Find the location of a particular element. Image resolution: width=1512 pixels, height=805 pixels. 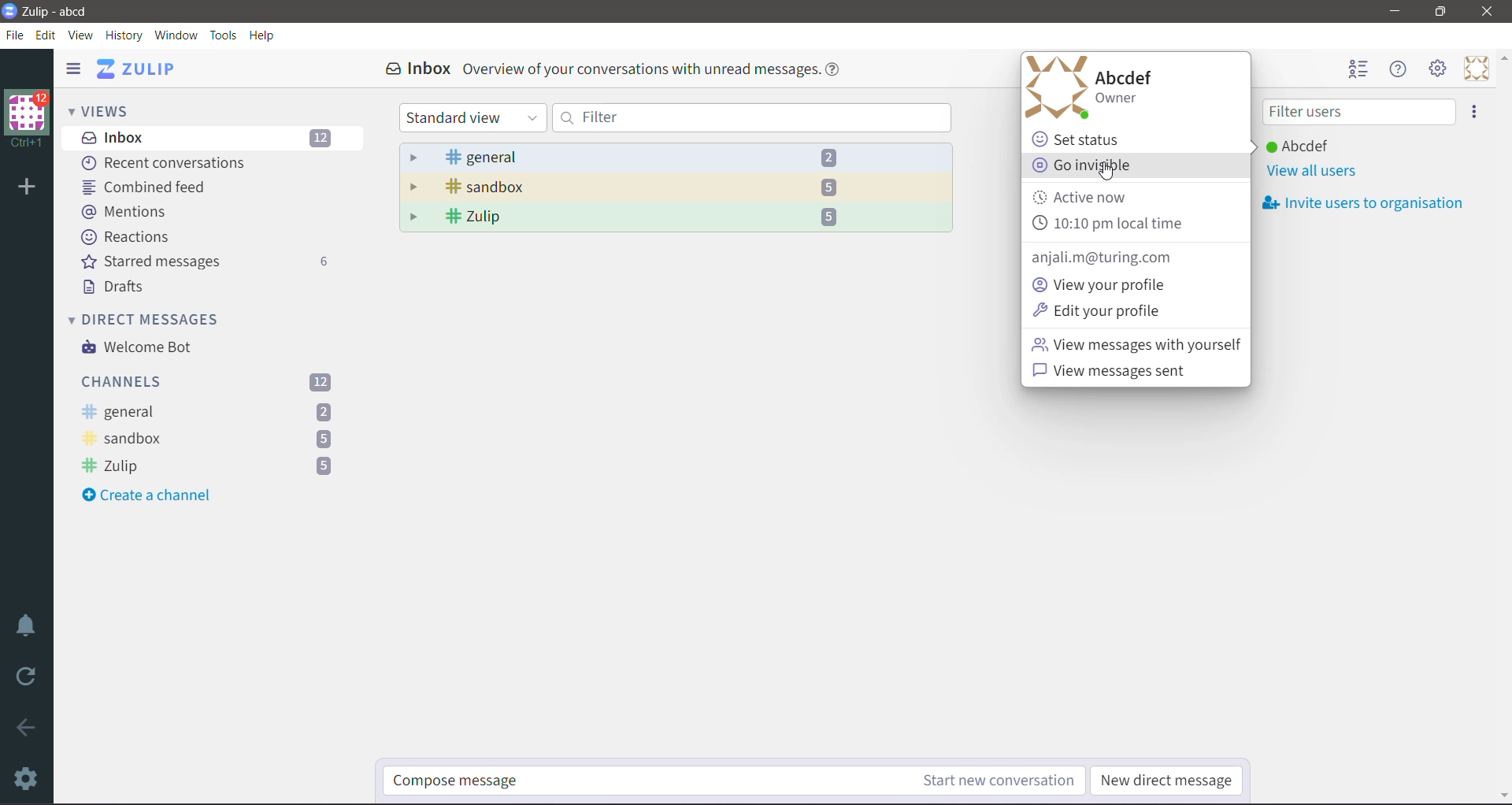

Minimize is located at coordinates (1393, 10).